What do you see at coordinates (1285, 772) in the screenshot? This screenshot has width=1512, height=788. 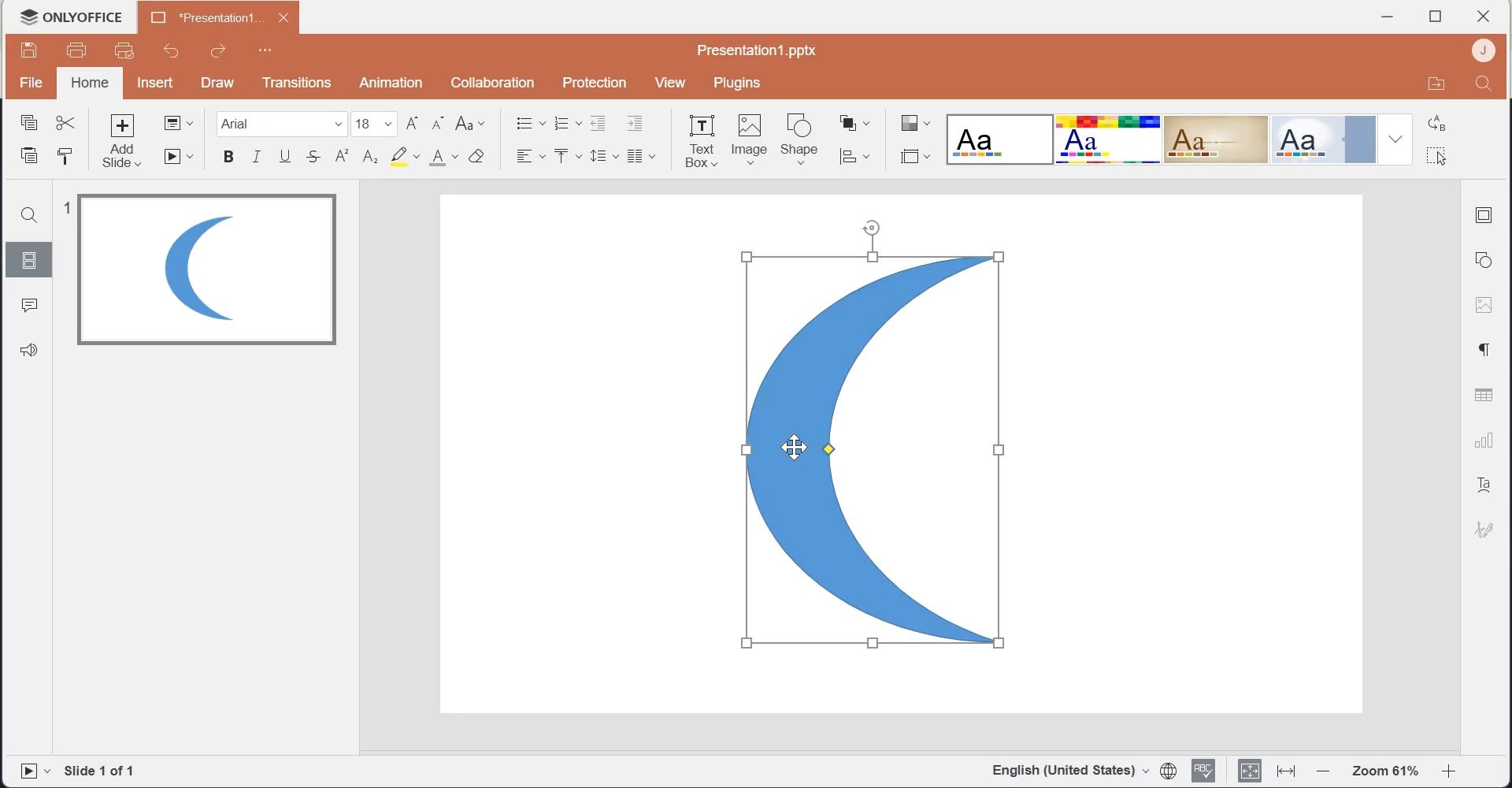 I see `Fit to width` at bounding box center [1285, 772].